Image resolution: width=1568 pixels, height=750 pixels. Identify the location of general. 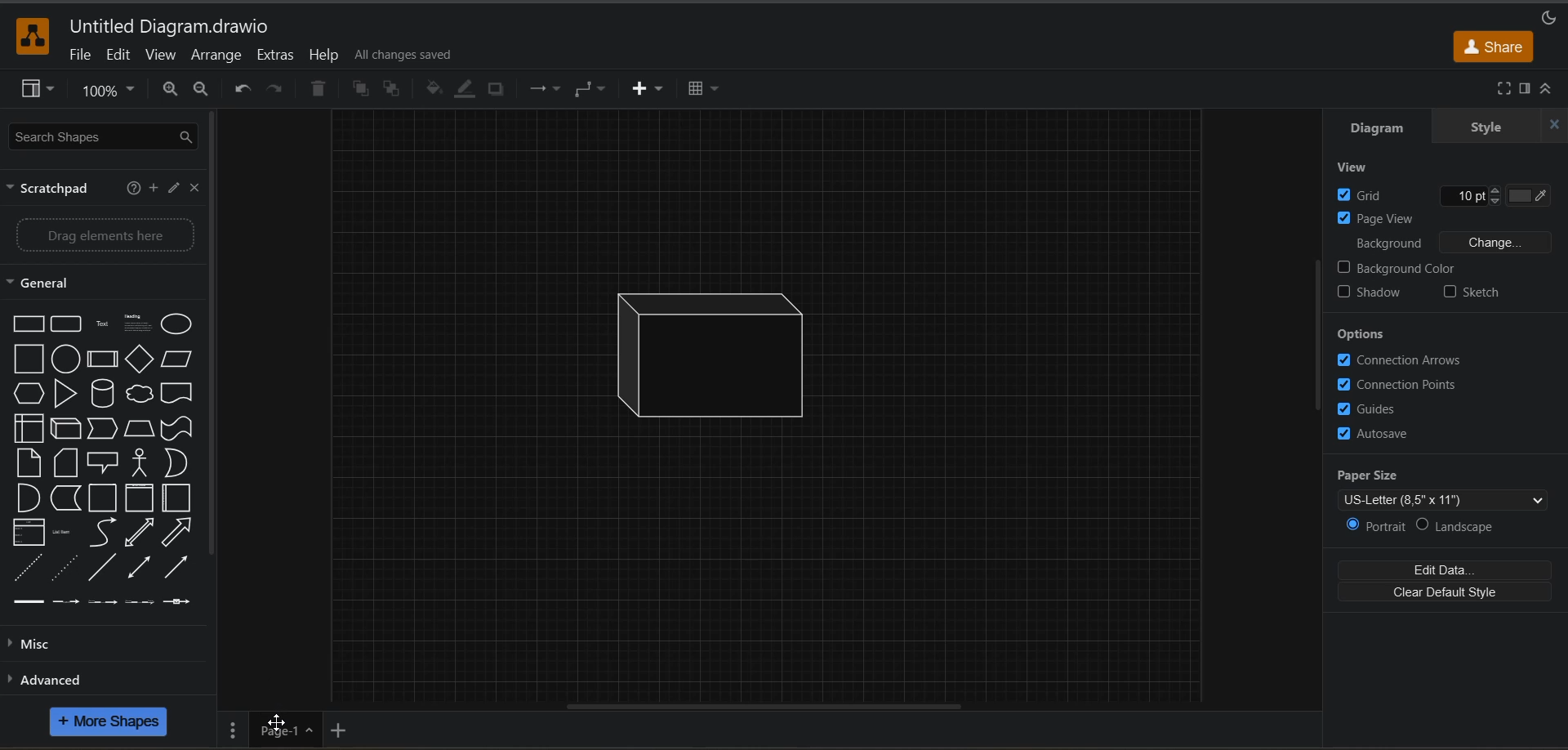
(55, 283).